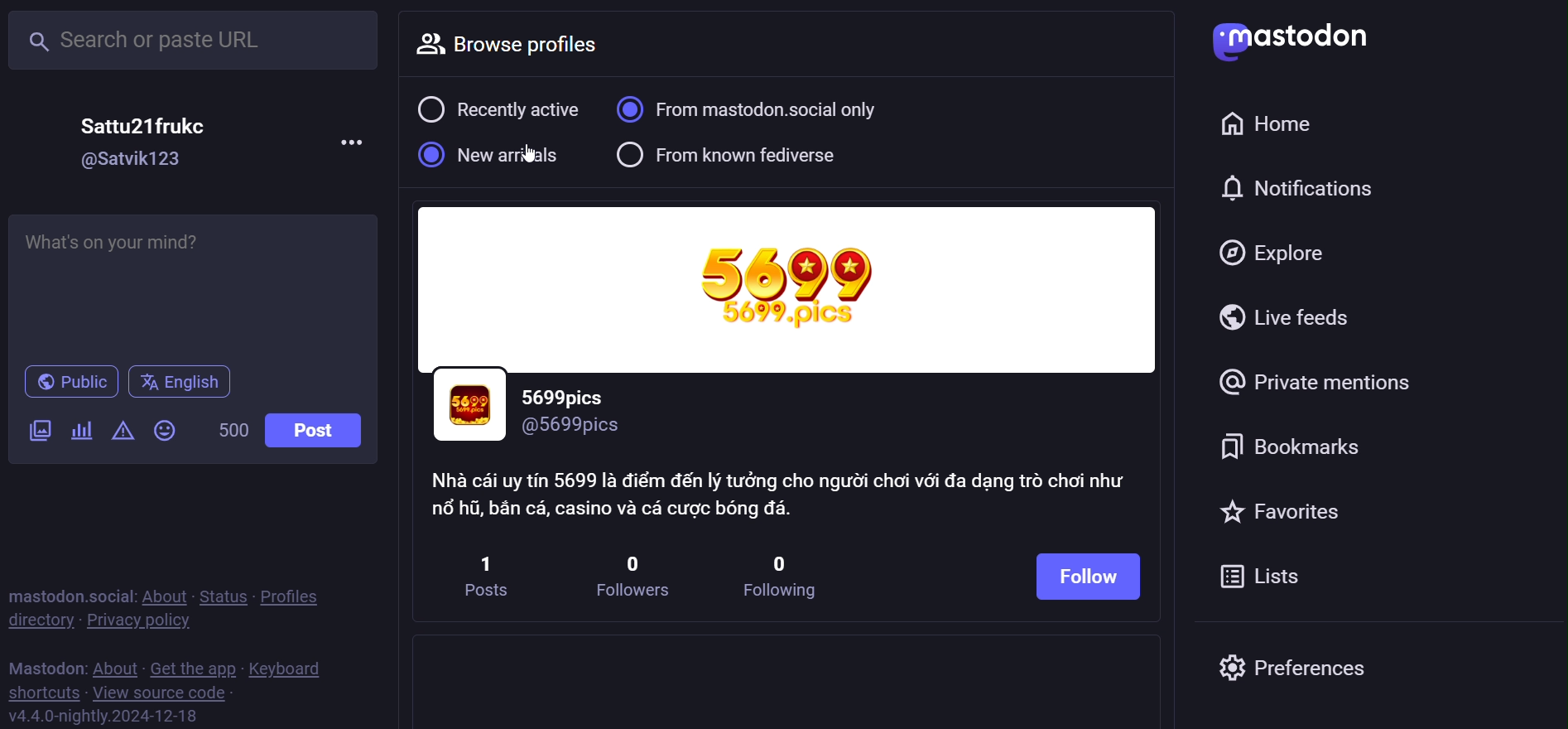 Image resolution: width=1568 pixels, height=729 pixels. What do you see at coordinates (38, 431) in the screenshot?
I see `image/video` at bounding box center [38, 431].